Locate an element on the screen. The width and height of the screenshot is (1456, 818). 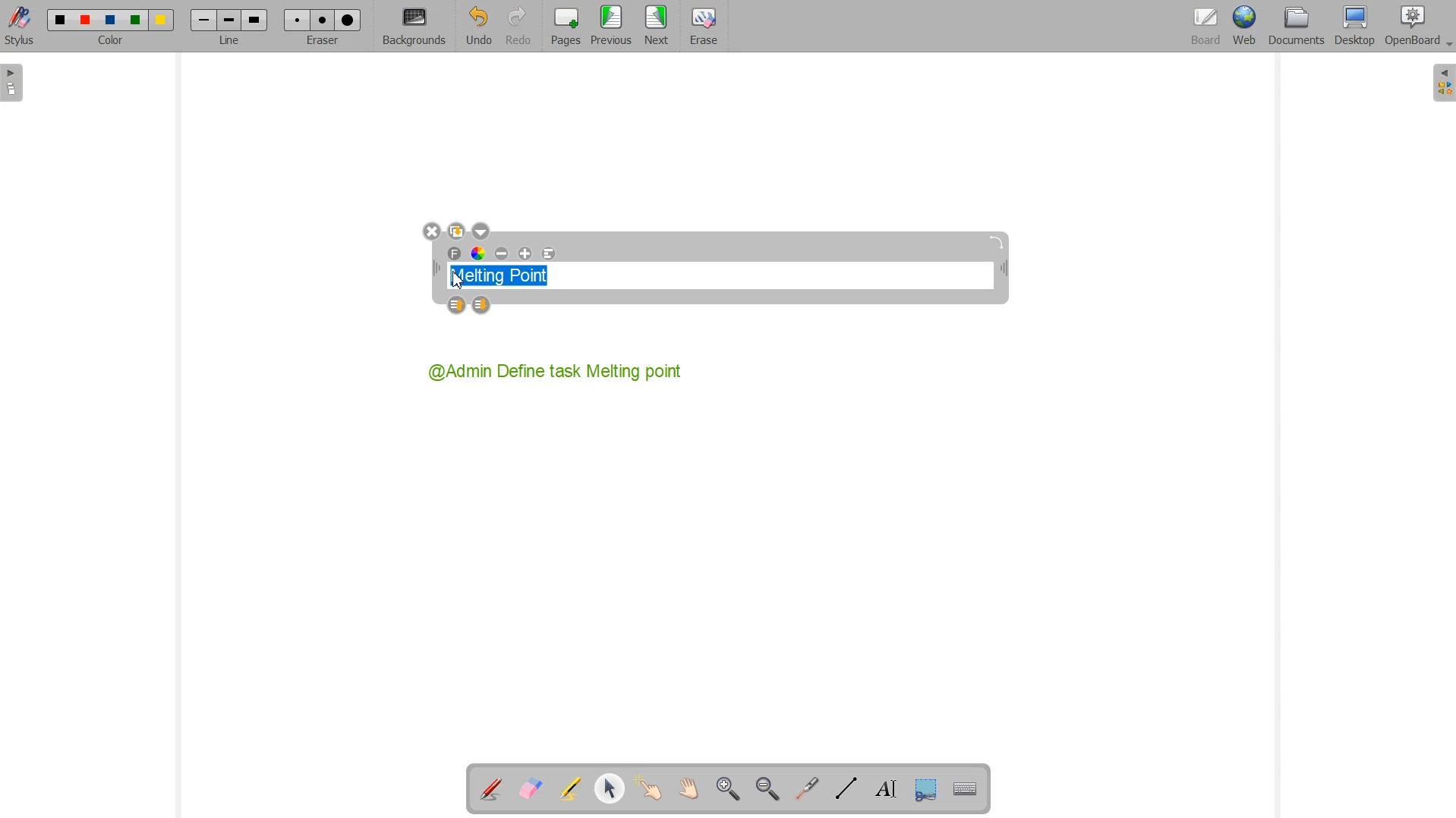
Maximize text size is located at coordinates (525, 254).